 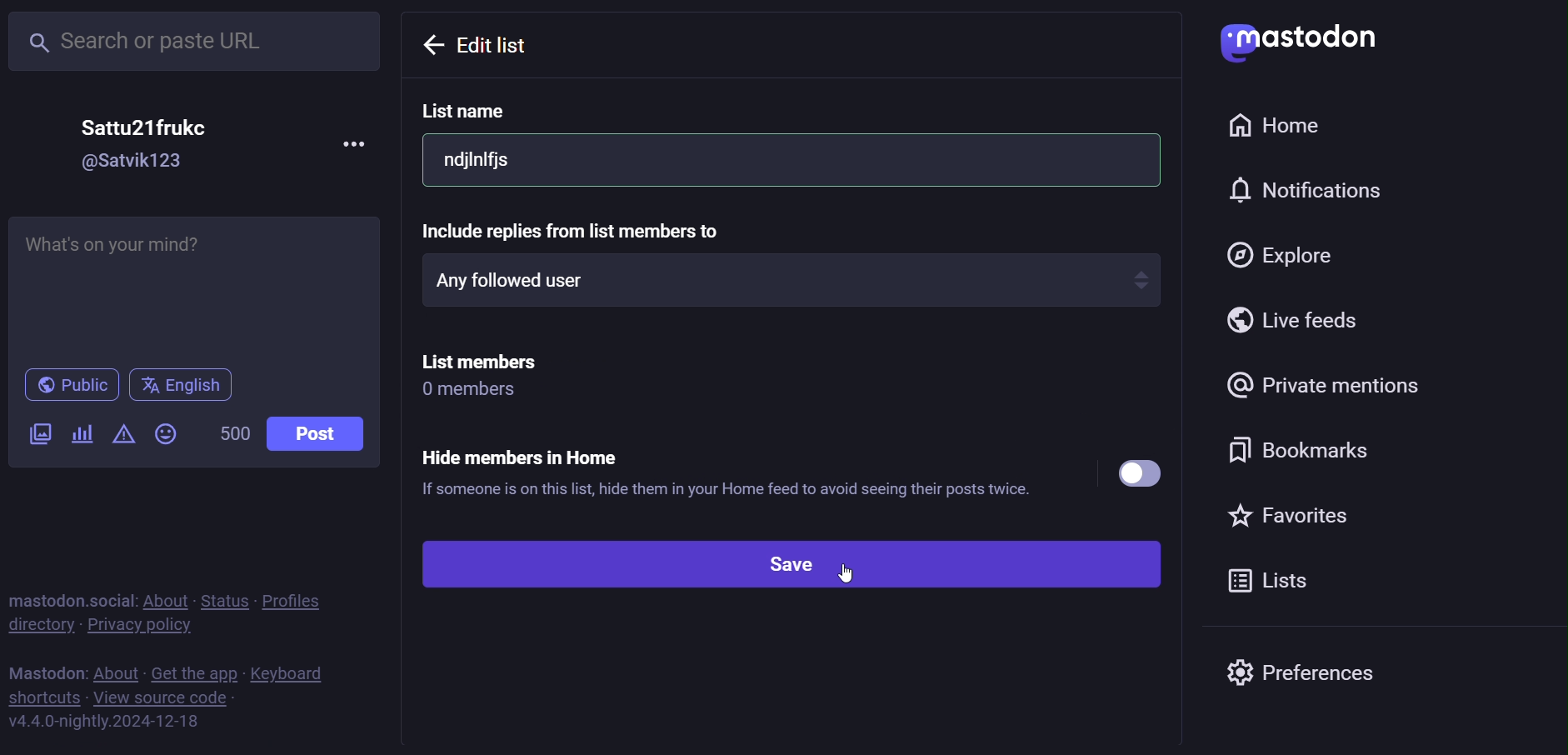 I want to click on search or paste URL, so click(x=200, y=37).